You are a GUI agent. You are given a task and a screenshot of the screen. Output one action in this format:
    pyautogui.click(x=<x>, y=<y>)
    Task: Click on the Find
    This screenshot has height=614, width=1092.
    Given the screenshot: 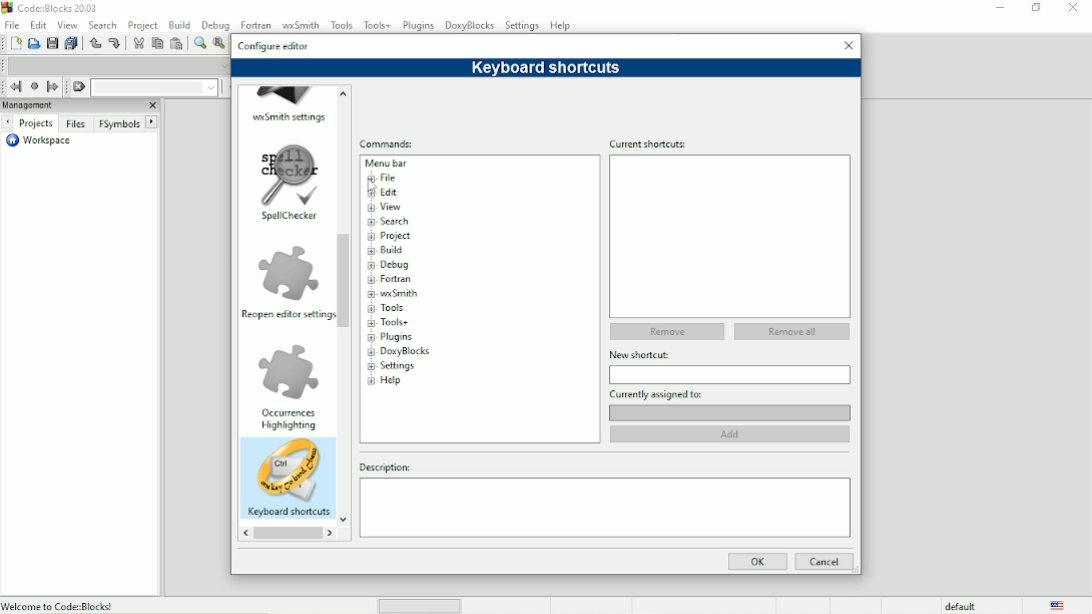 What is the action you would take?
    pyautogui.click(x=199, y=43)
    